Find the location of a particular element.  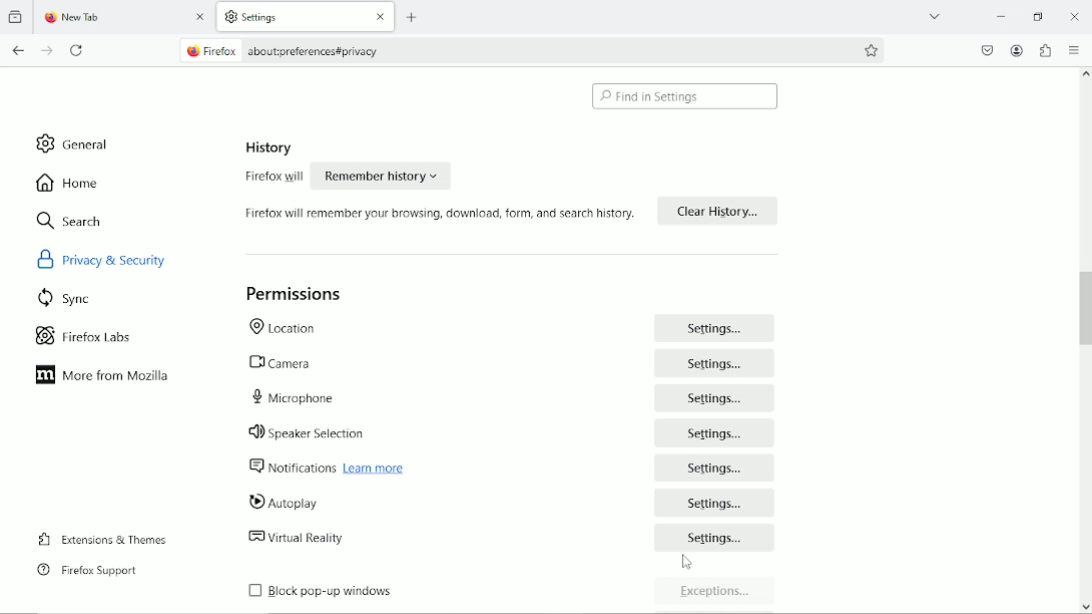

account is located at coordinates (1017, 51).